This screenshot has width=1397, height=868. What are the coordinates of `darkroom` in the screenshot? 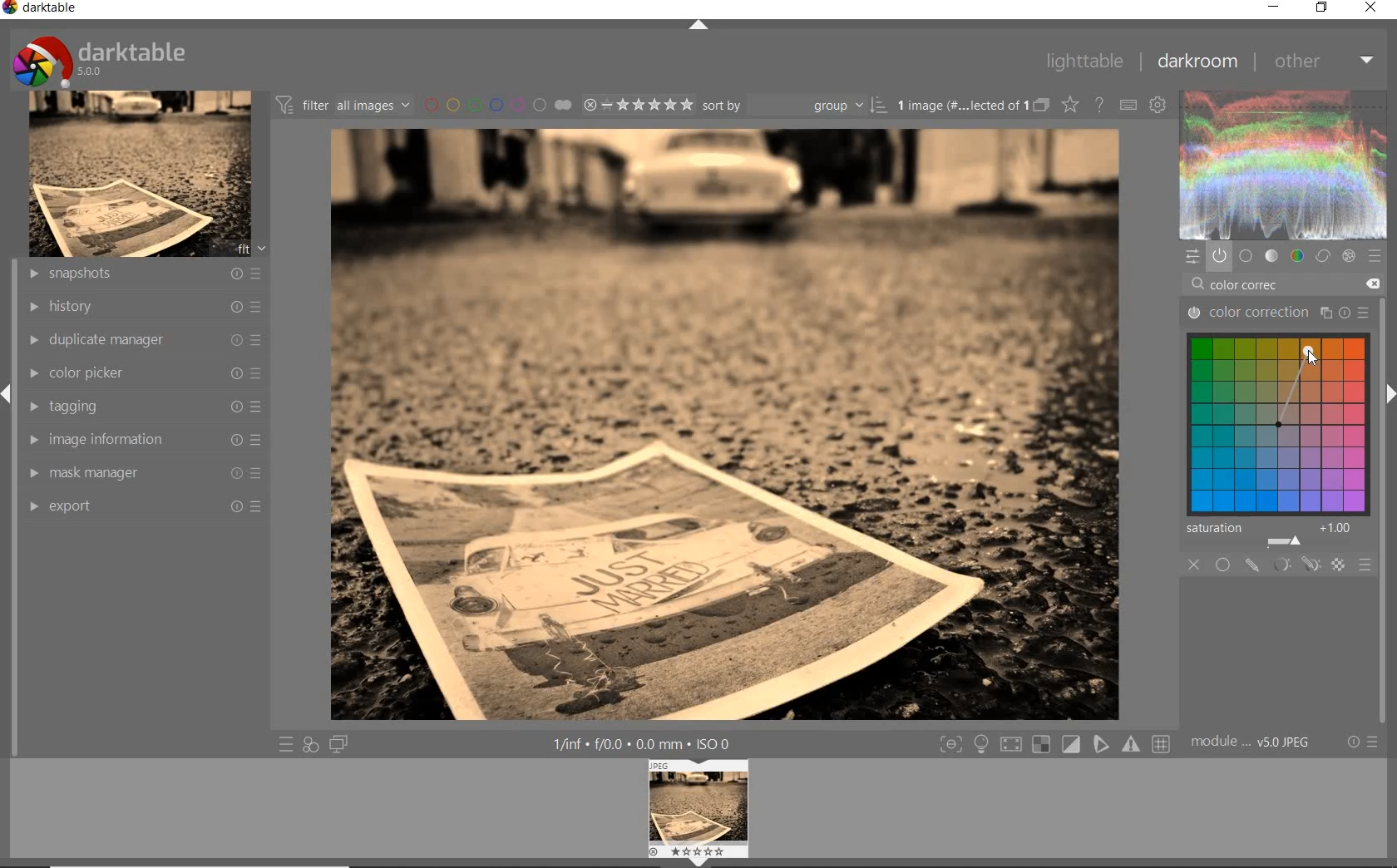 It's located at (1196, 59).